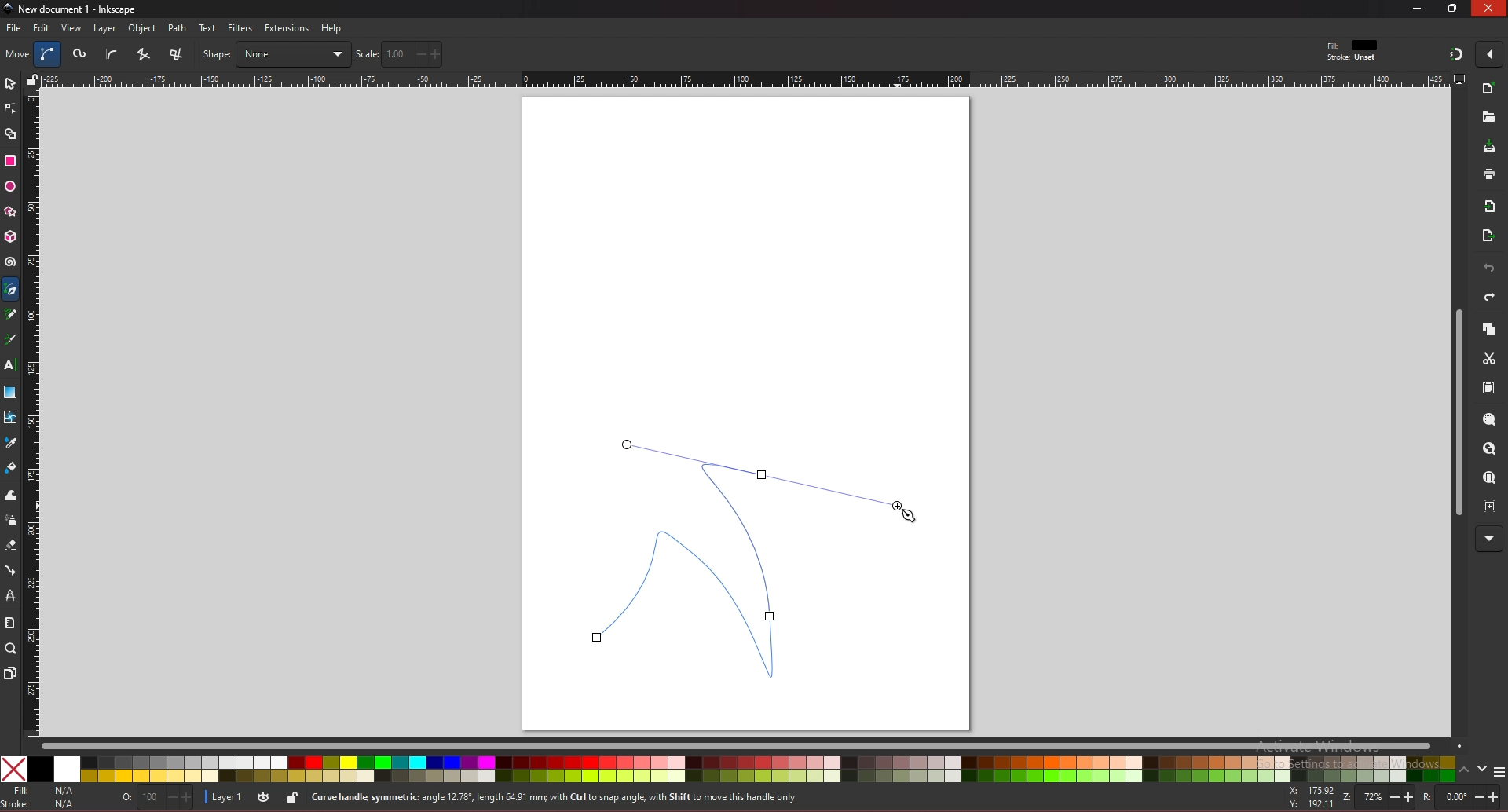 Image resolution: width=1508 pixels, height=812 pixels. I want to click on zoom, so click(11, 648).